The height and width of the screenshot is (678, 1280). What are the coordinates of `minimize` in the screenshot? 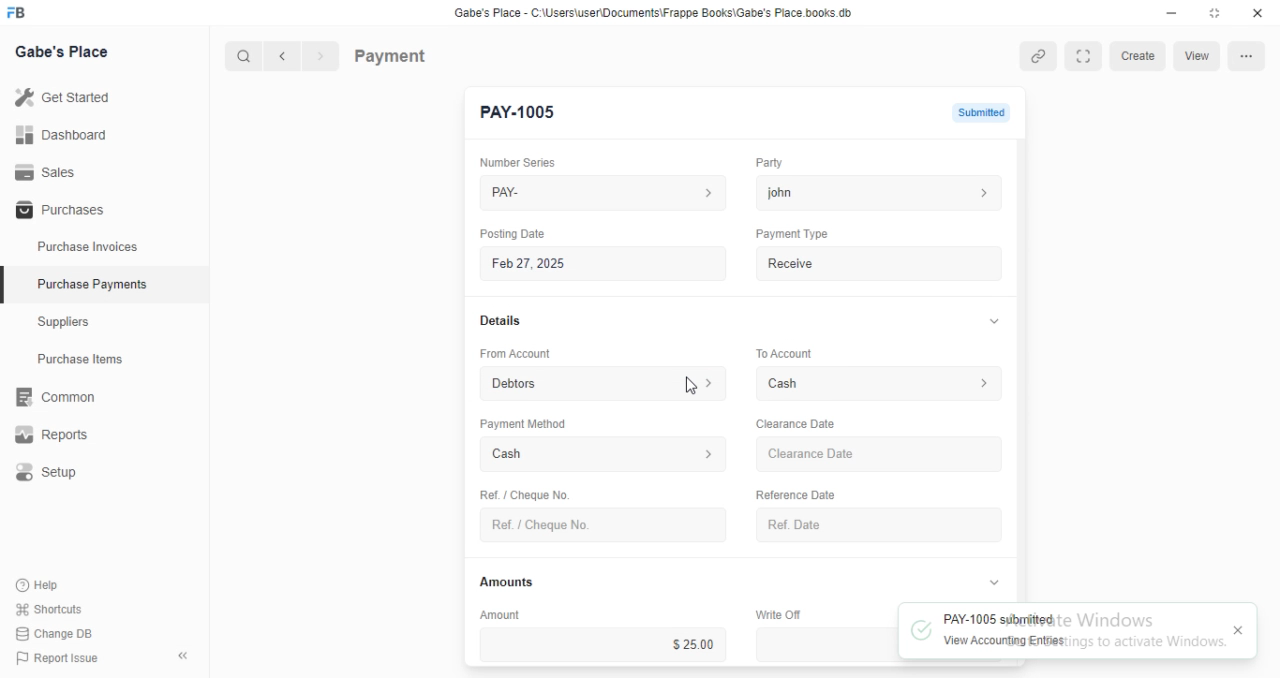 It's located at (1166, 12).